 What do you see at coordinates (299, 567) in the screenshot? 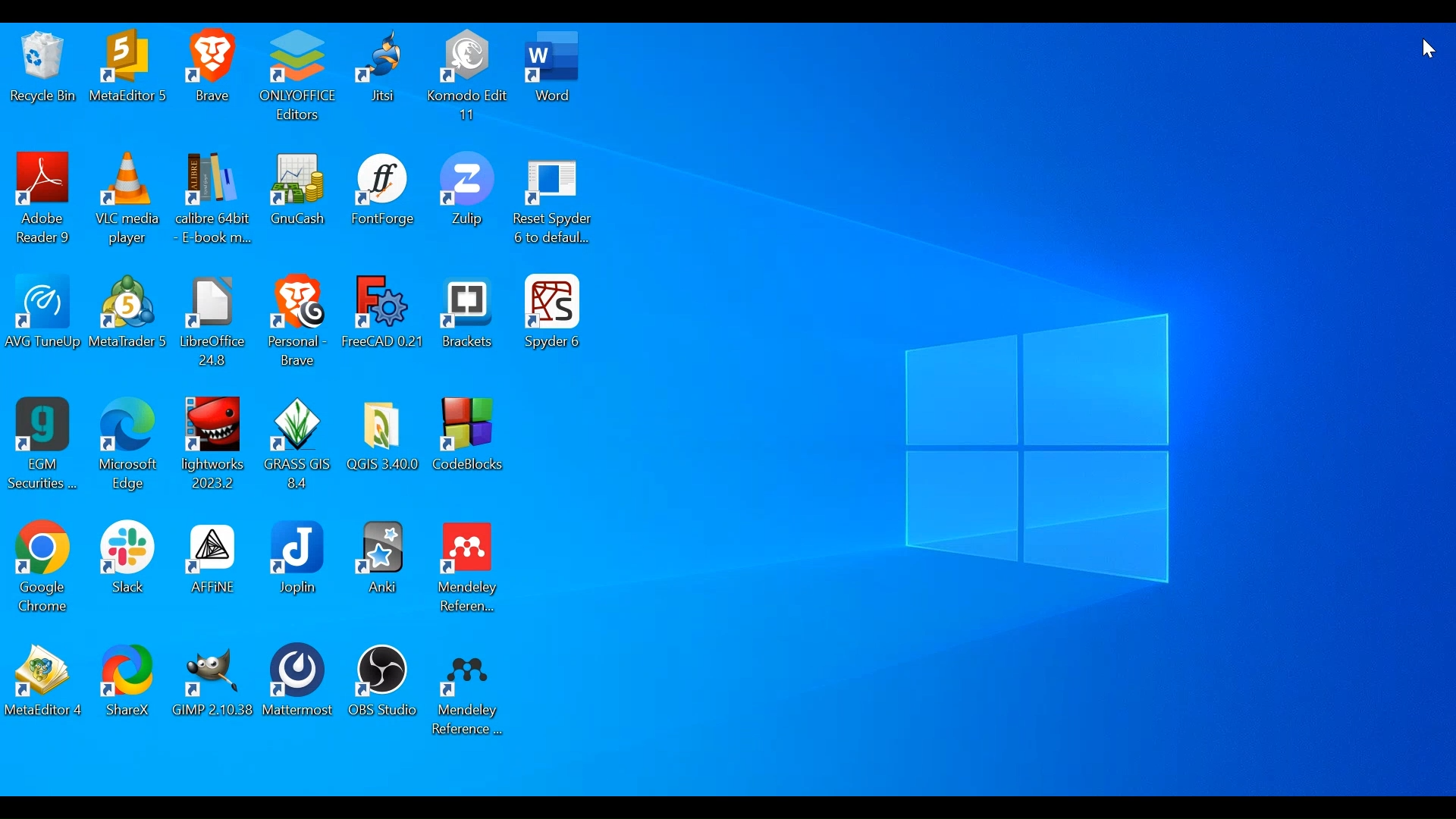
I see `Joplin` at bounding box center [299, 567].